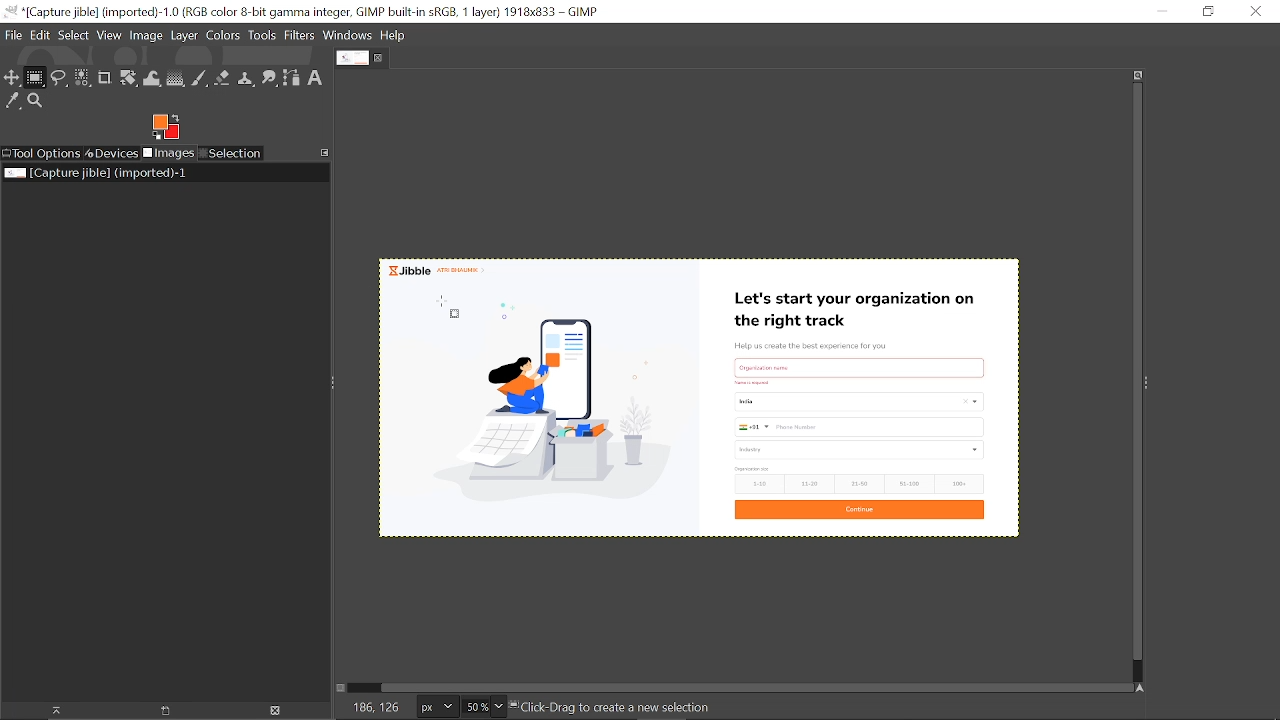 The width and height of the screenshot is (1280, 720). I want to click on Horizontal scrollbar, so click(745, 686).